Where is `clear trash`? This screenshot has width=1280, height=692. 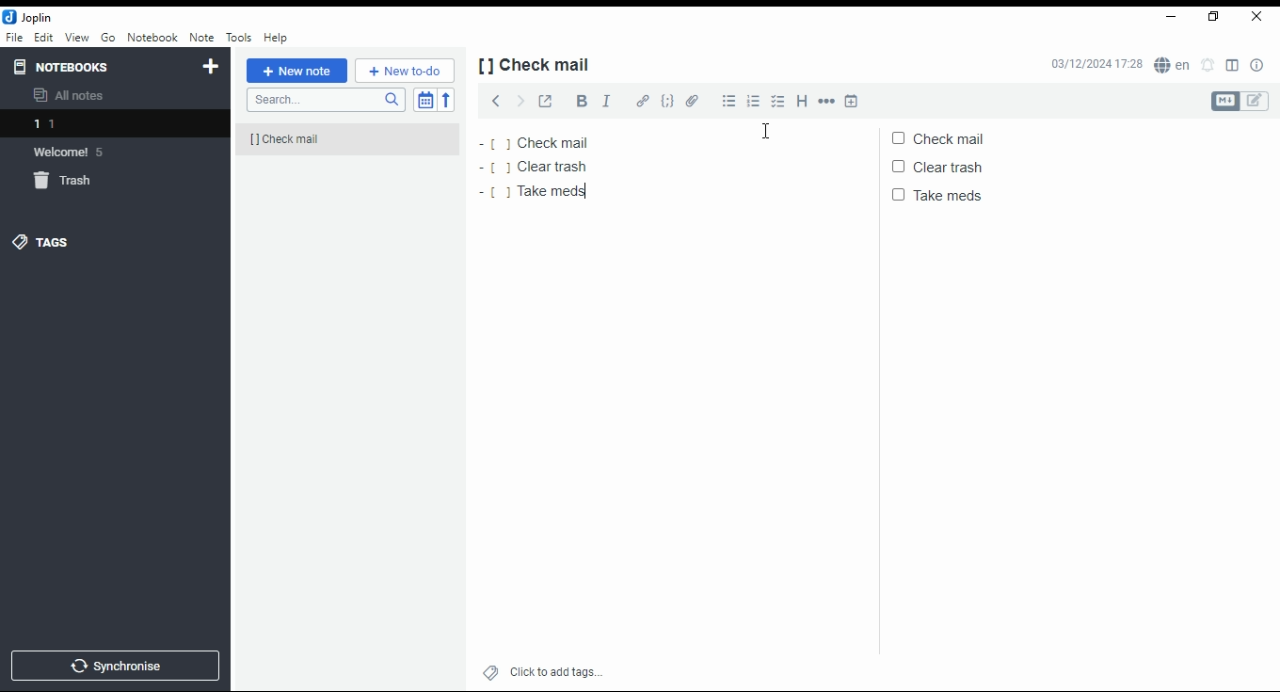 clear trash is located at coordinates (948, 165).